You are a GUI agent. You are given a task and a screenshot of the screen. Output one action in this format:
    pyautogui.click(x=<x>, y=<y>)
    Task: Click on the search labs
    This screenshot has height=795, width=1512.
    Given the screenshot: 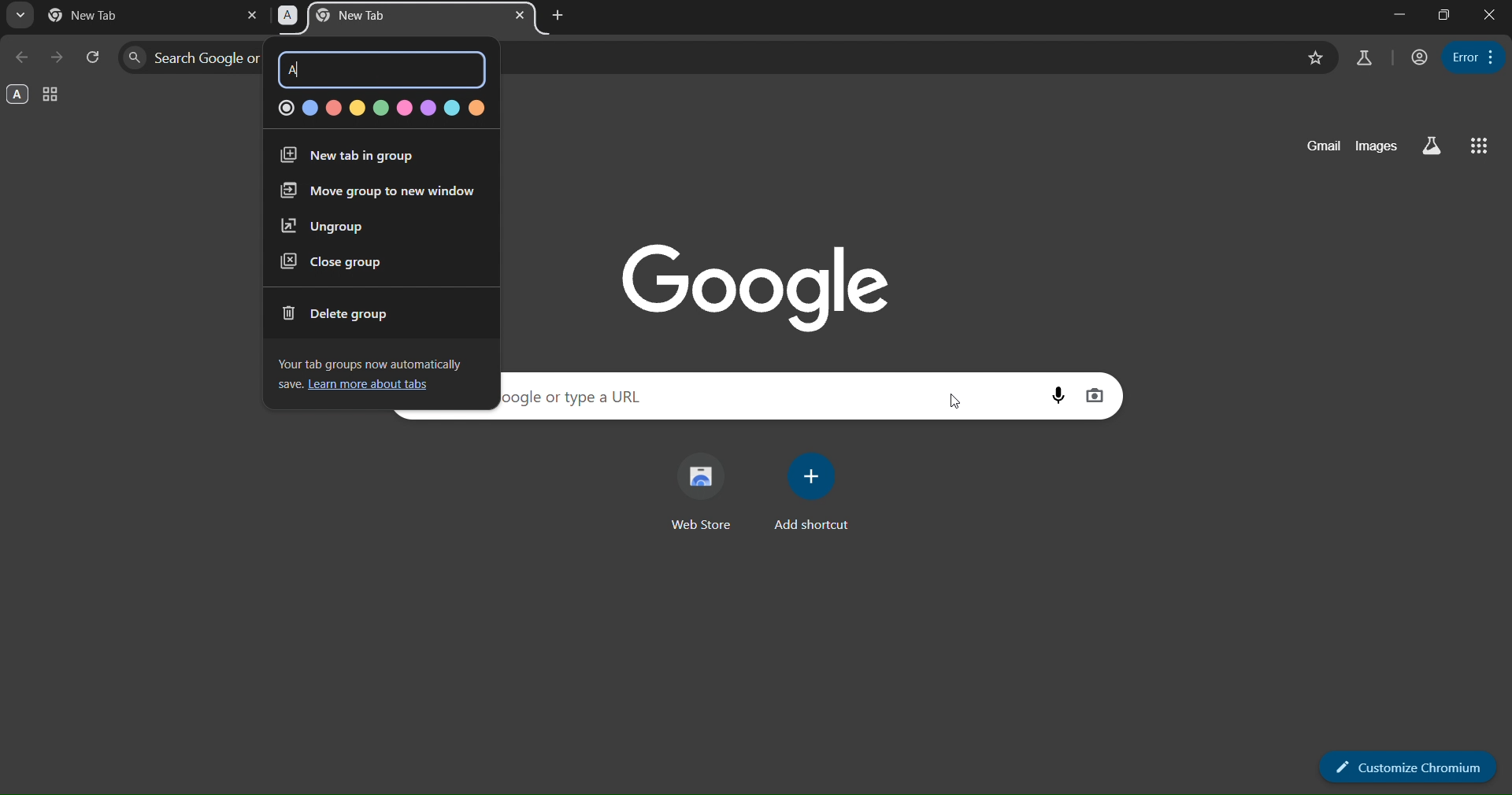 What is the action you would take?
    pyautogui.click(x=1364, y=59)
    